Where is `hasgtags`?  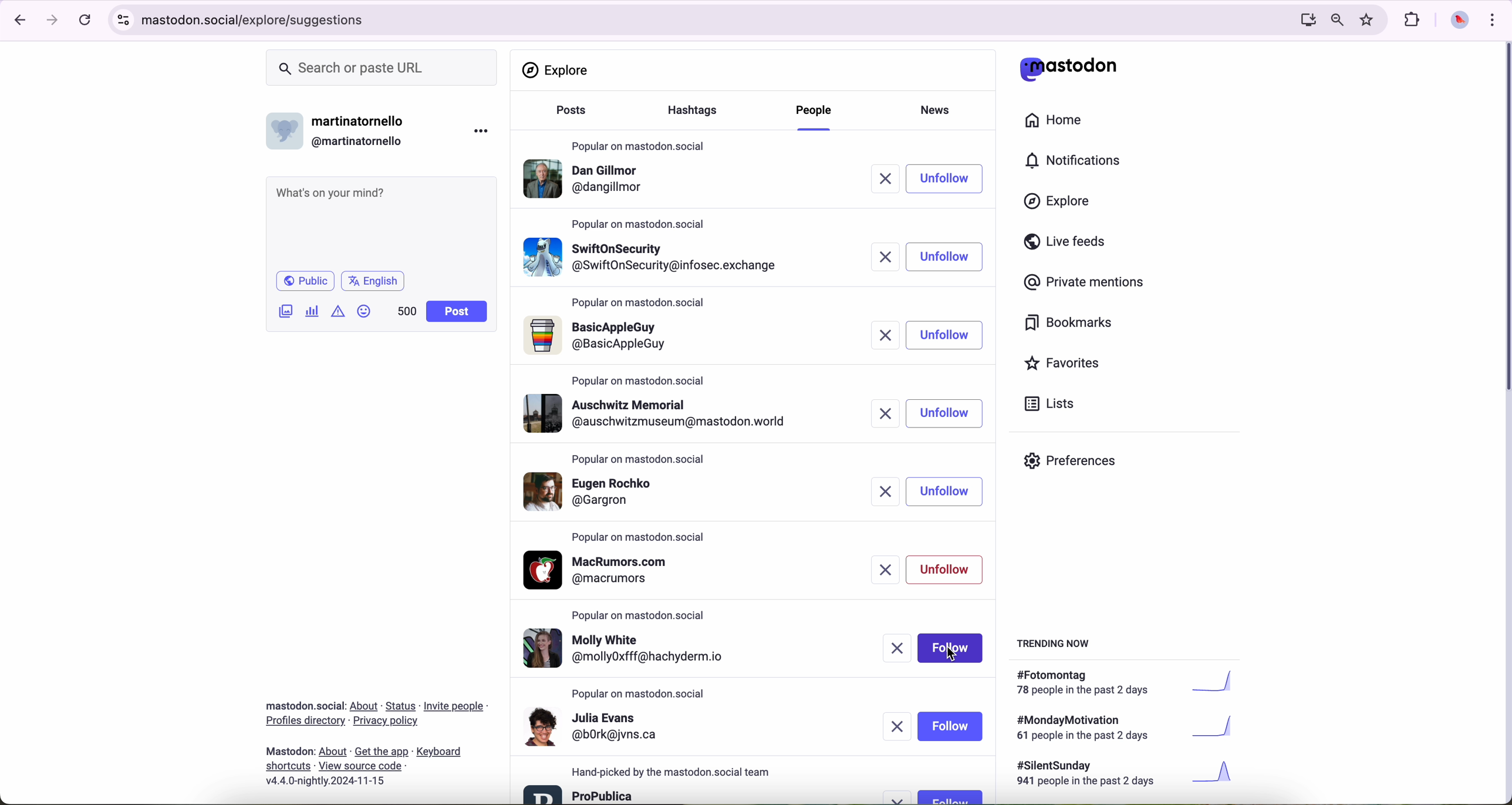 hasgtags is located at coordinates (699, 112).